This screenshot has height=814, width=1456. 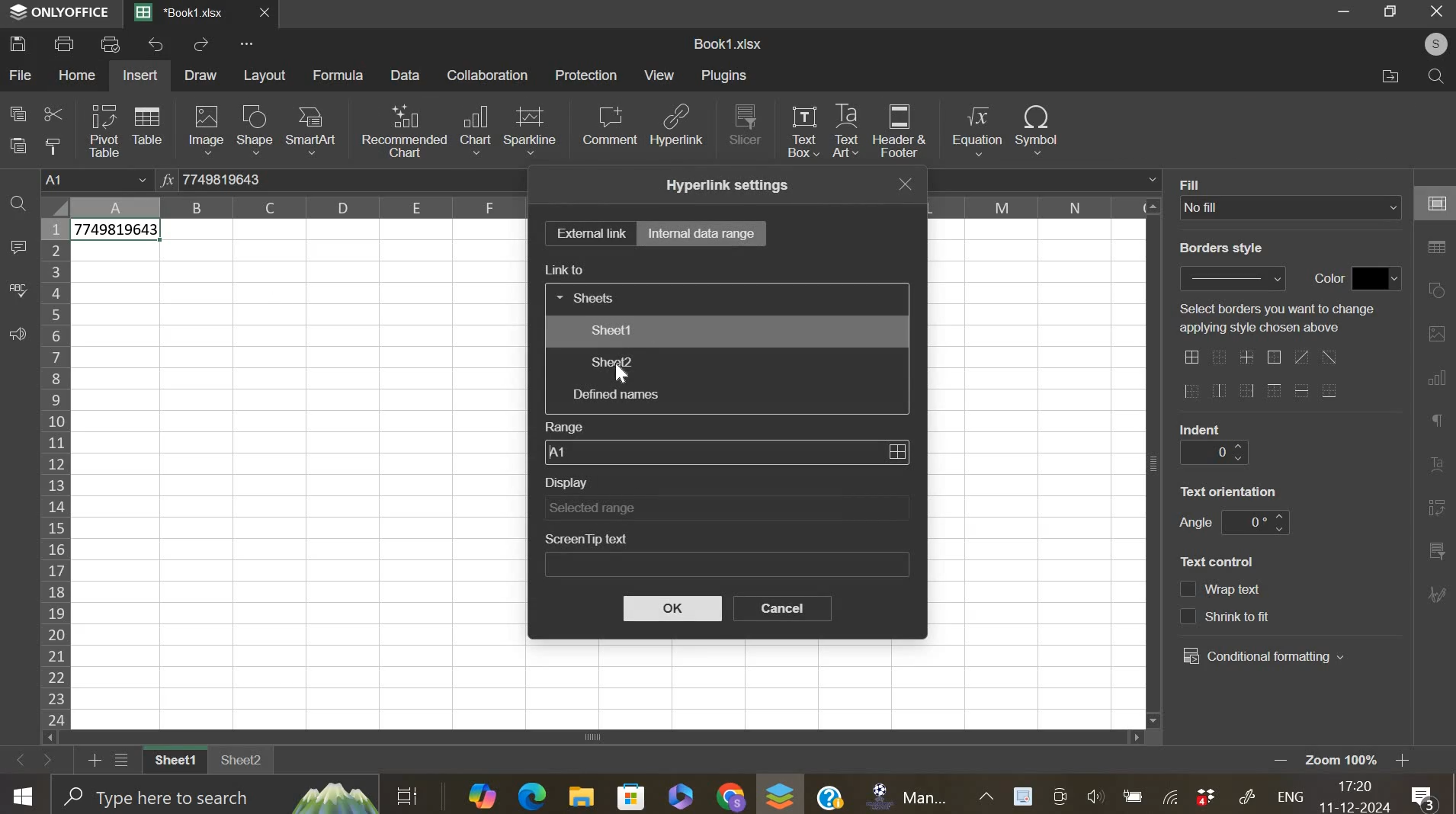 I want to click on pivot table, so click(x=104, y=131).